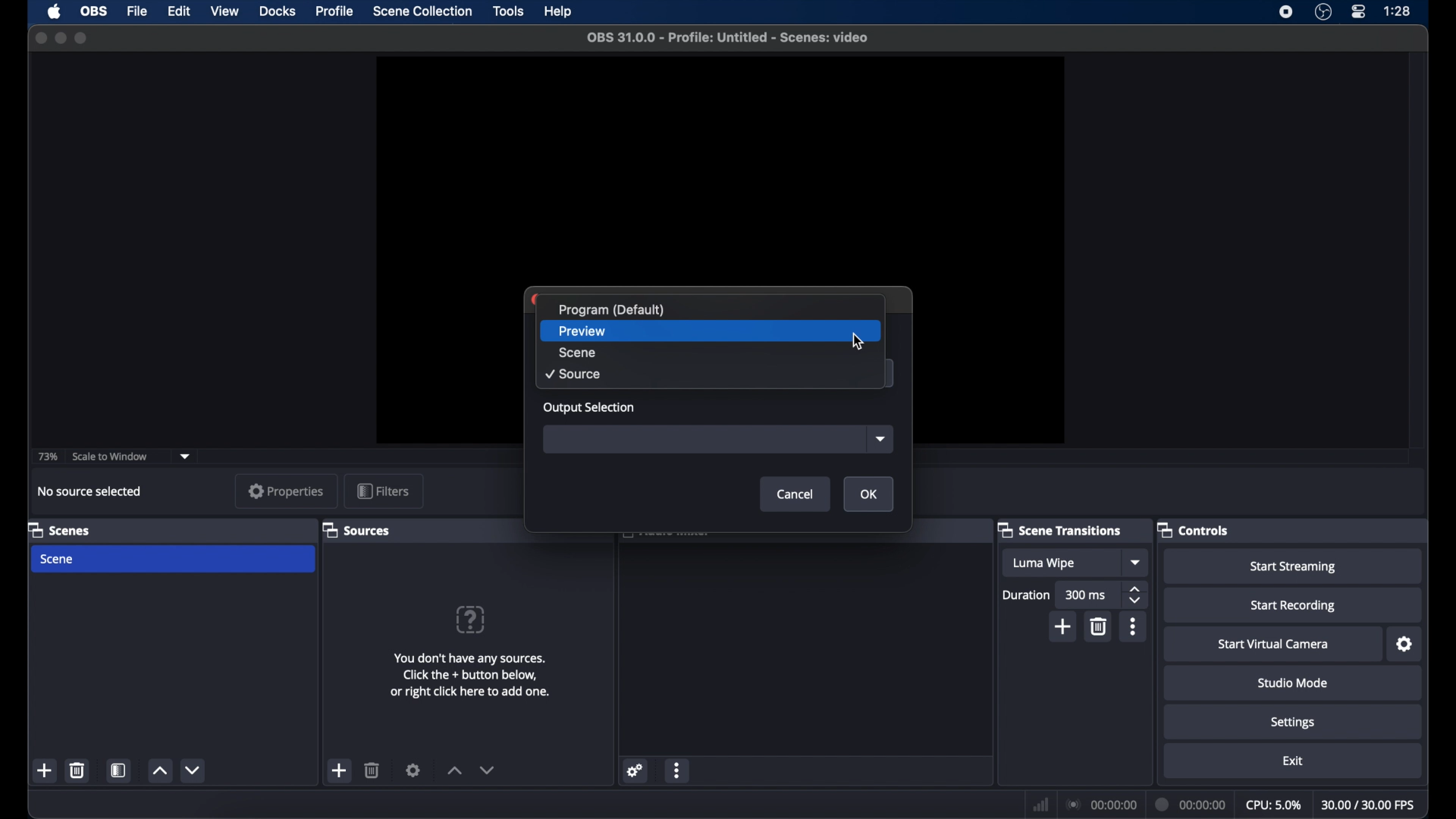 Image resolution: width=1456 pixels, height=819 pixels. I want to click on decrement, so click(488, 772).